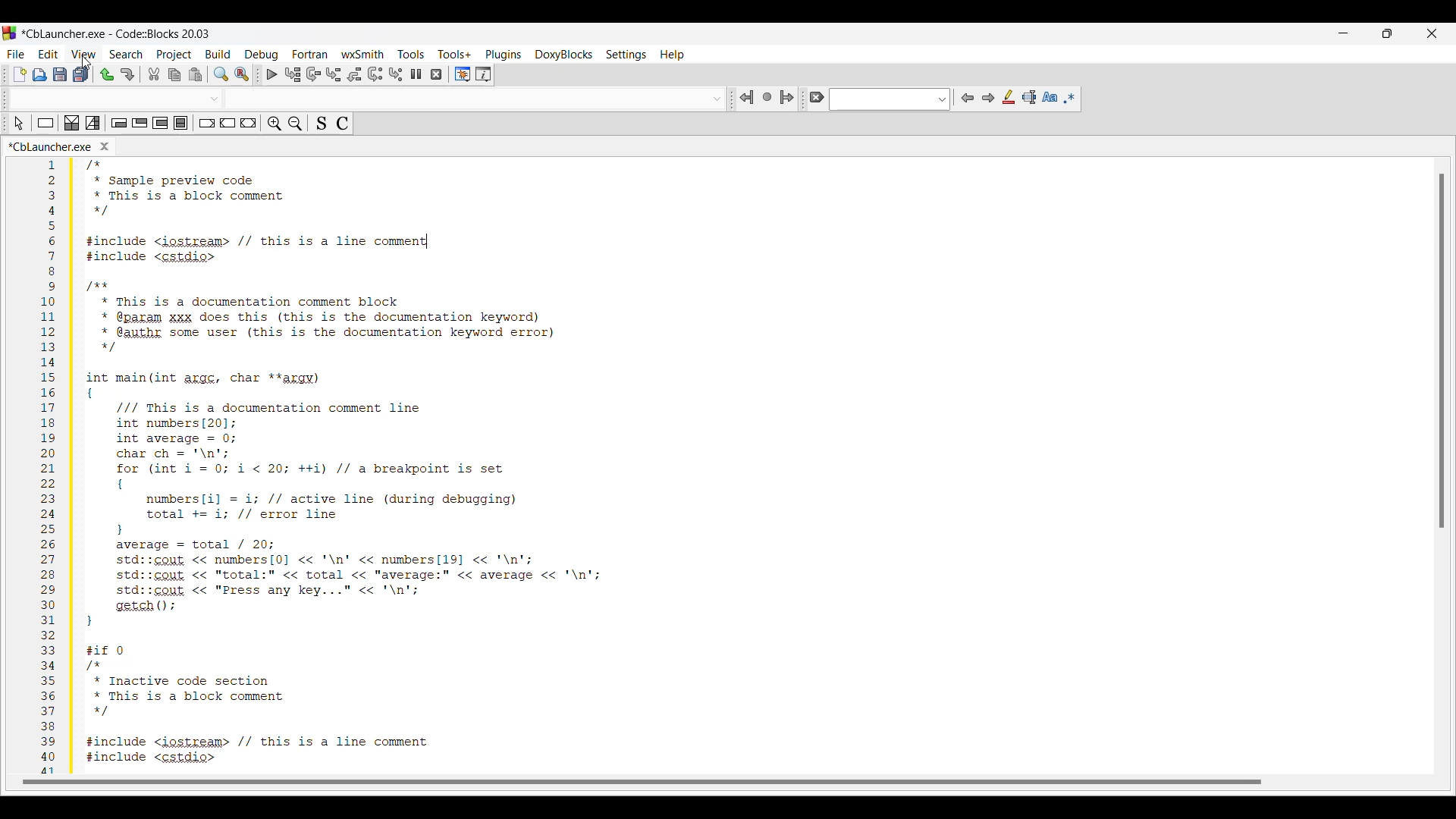 The height and width of the screenshot is (819, 1456). I want to click on Run to cursor, so click(293, 74).